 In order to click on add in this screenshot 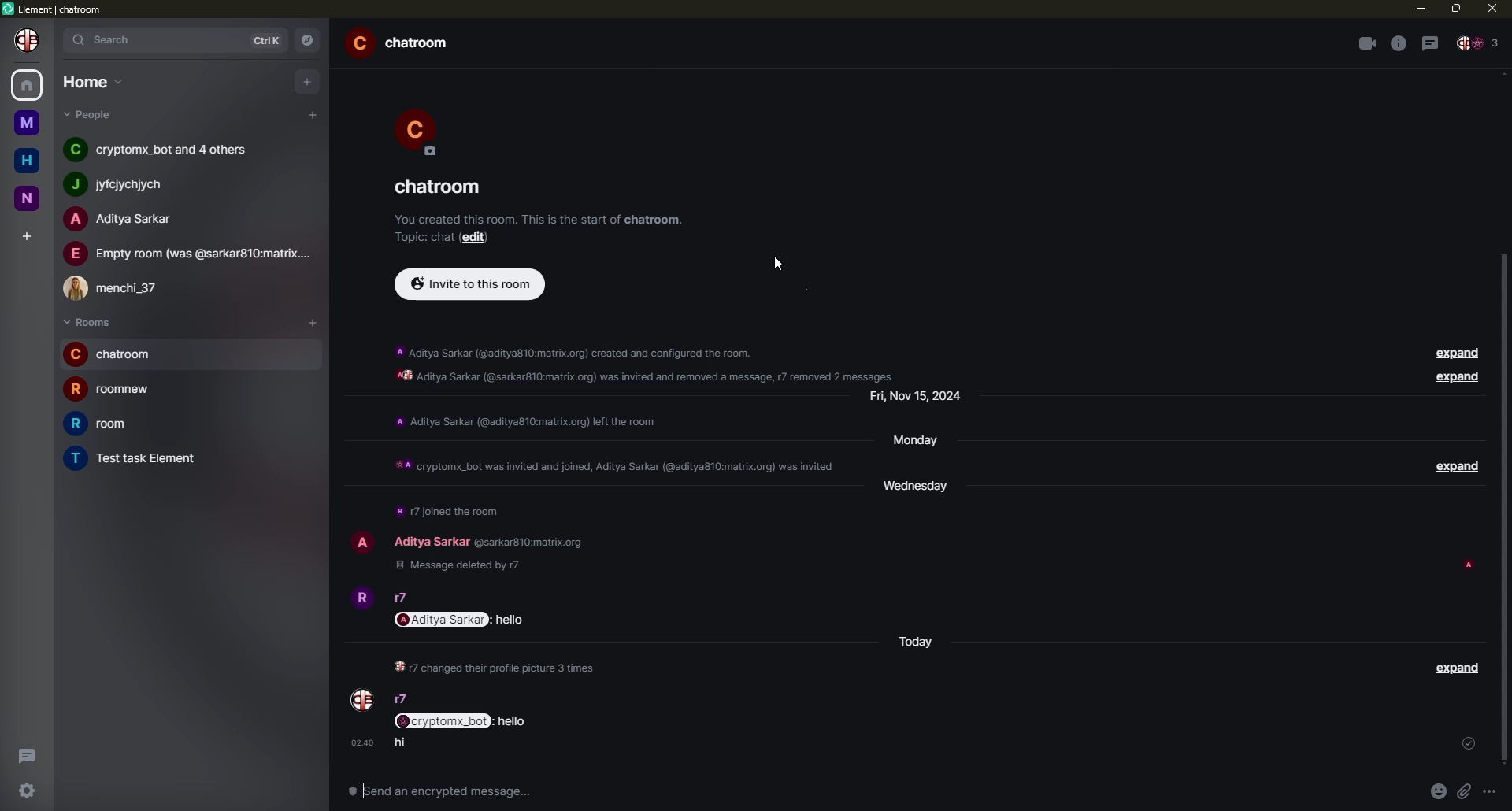, I will do `click(306, 82)`.